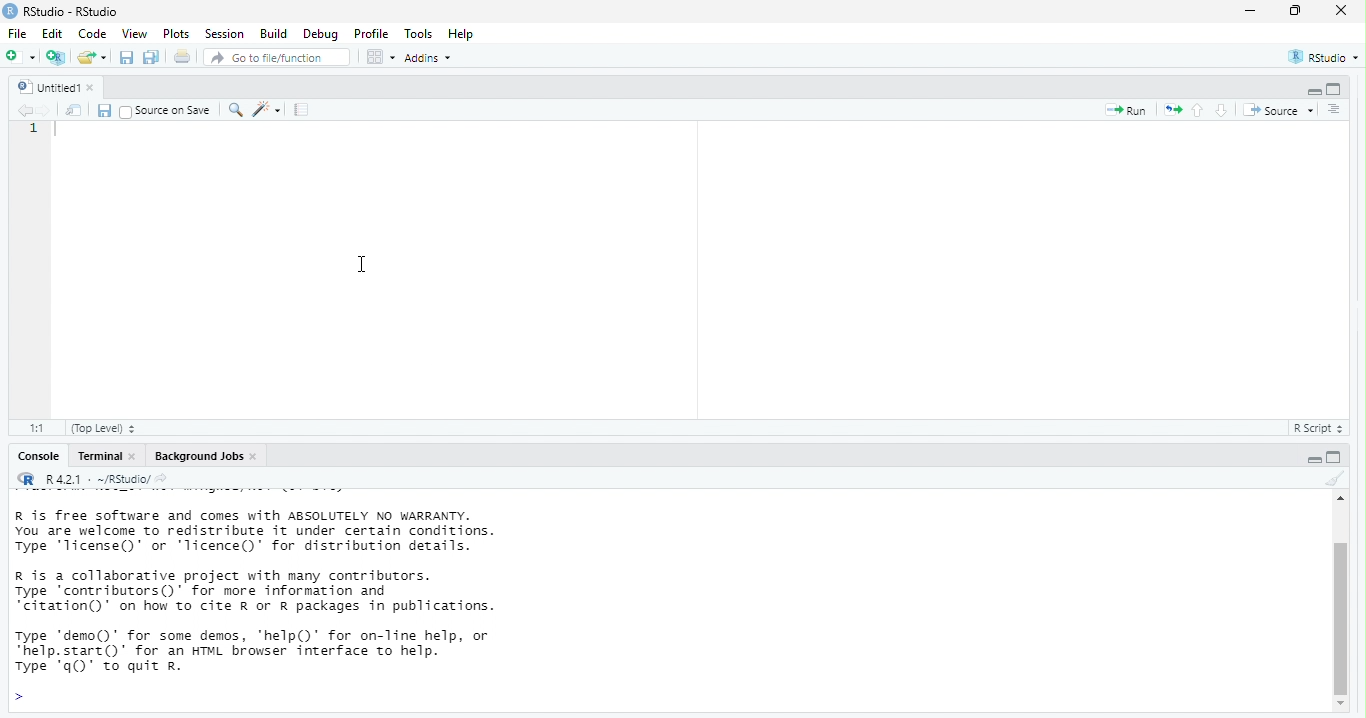 Image resolution: width=1366 pixels, height=718 pixels. Describe the element at coordinates (19, 56) in the screenshot. I see `new file` at that location.